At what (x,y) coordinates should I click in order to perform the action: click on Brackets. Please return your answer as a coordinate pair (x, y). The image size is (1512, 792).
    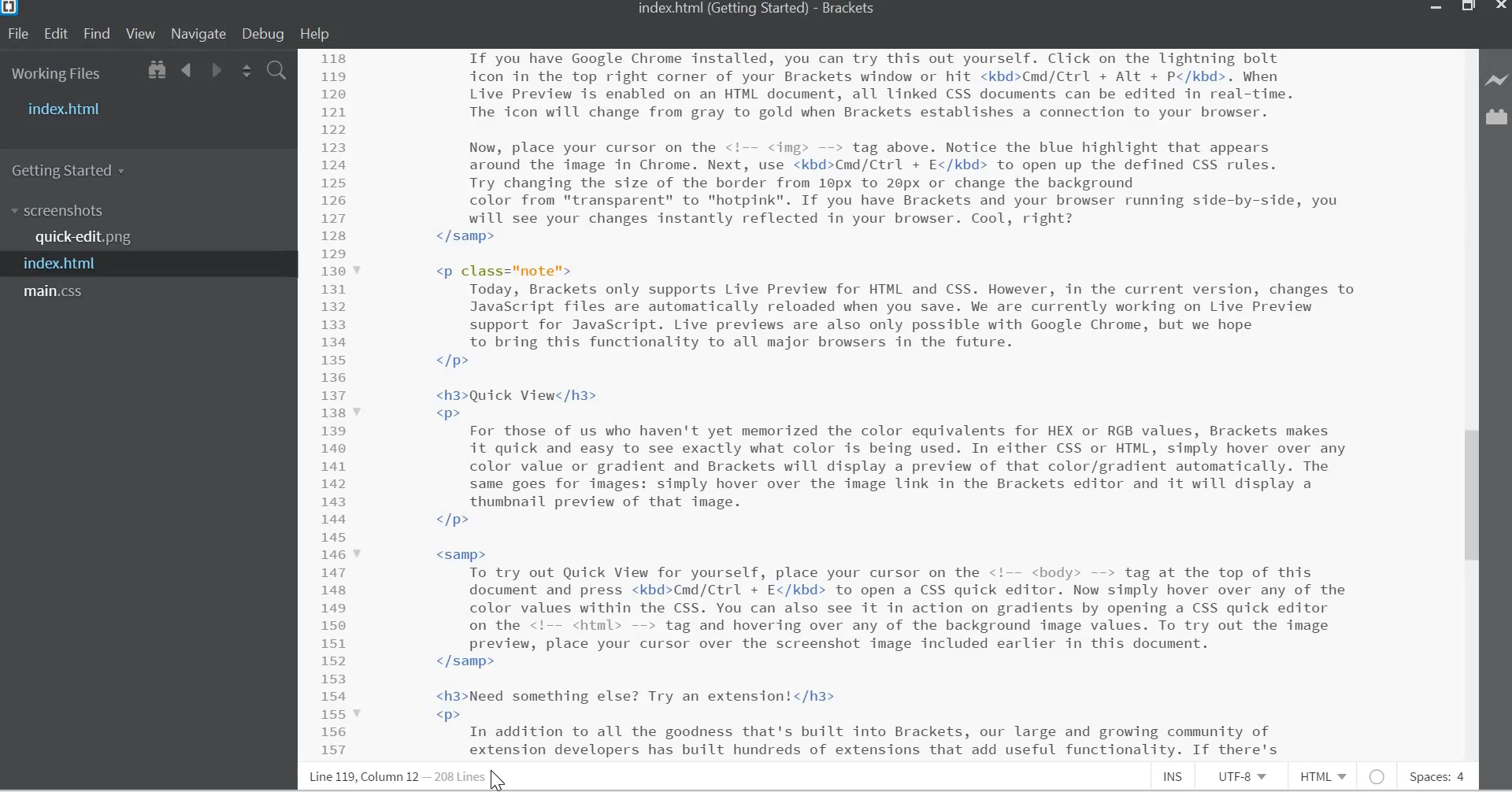
    Looking at the image, I should click on (850, 9).